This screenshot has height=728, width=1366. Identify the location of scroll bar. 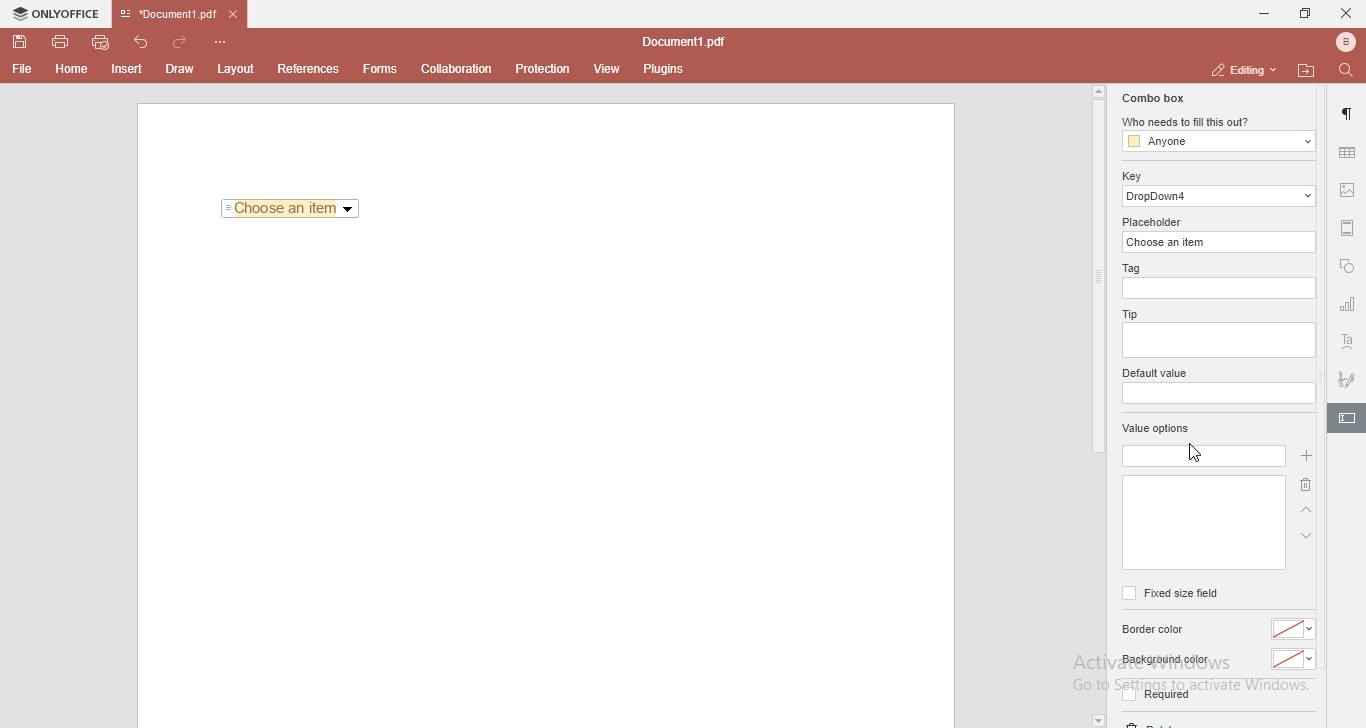
(1097, 270).